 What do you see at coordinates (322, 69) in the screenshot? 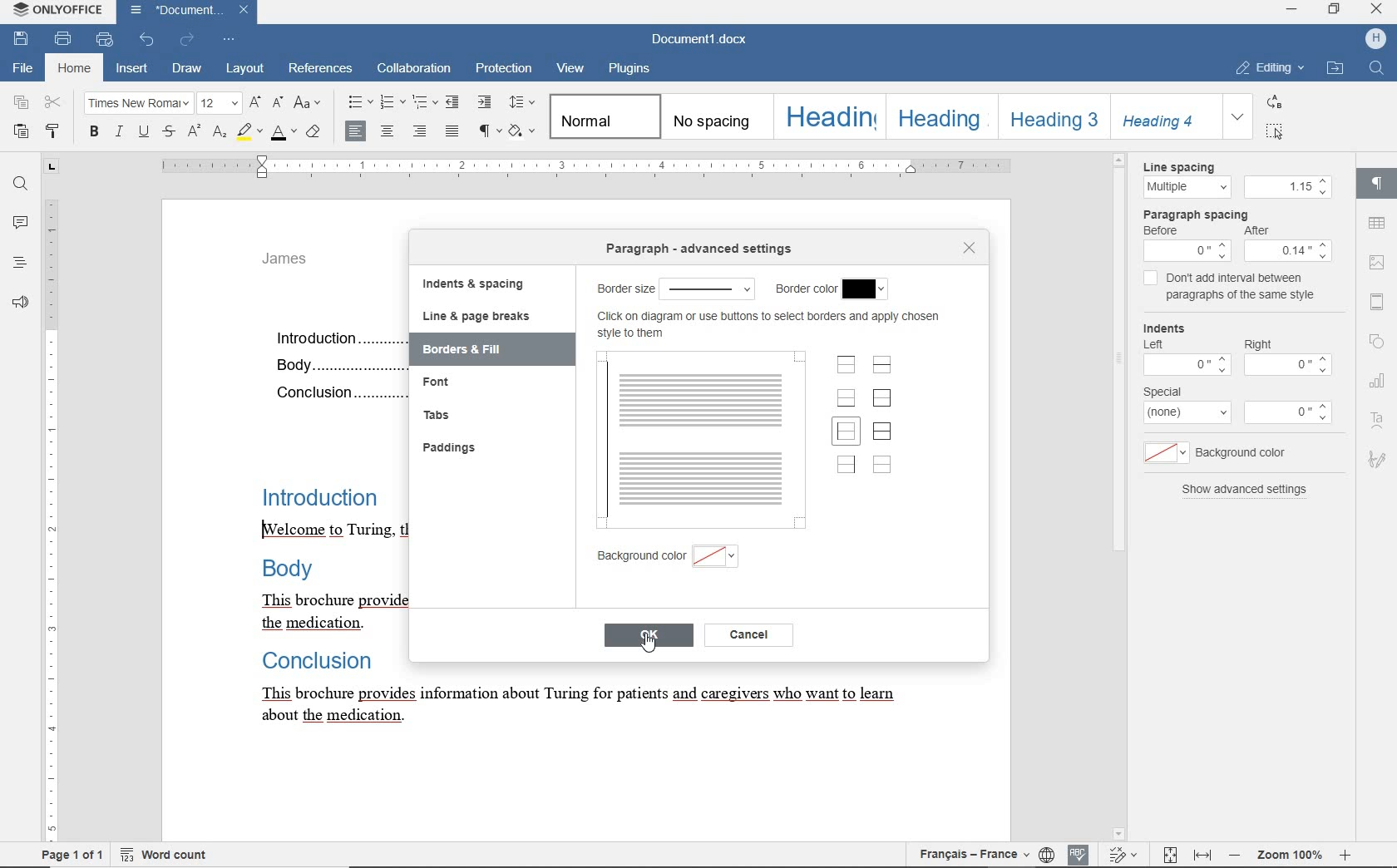
I see `referenes` at bounding box center [322, 69].